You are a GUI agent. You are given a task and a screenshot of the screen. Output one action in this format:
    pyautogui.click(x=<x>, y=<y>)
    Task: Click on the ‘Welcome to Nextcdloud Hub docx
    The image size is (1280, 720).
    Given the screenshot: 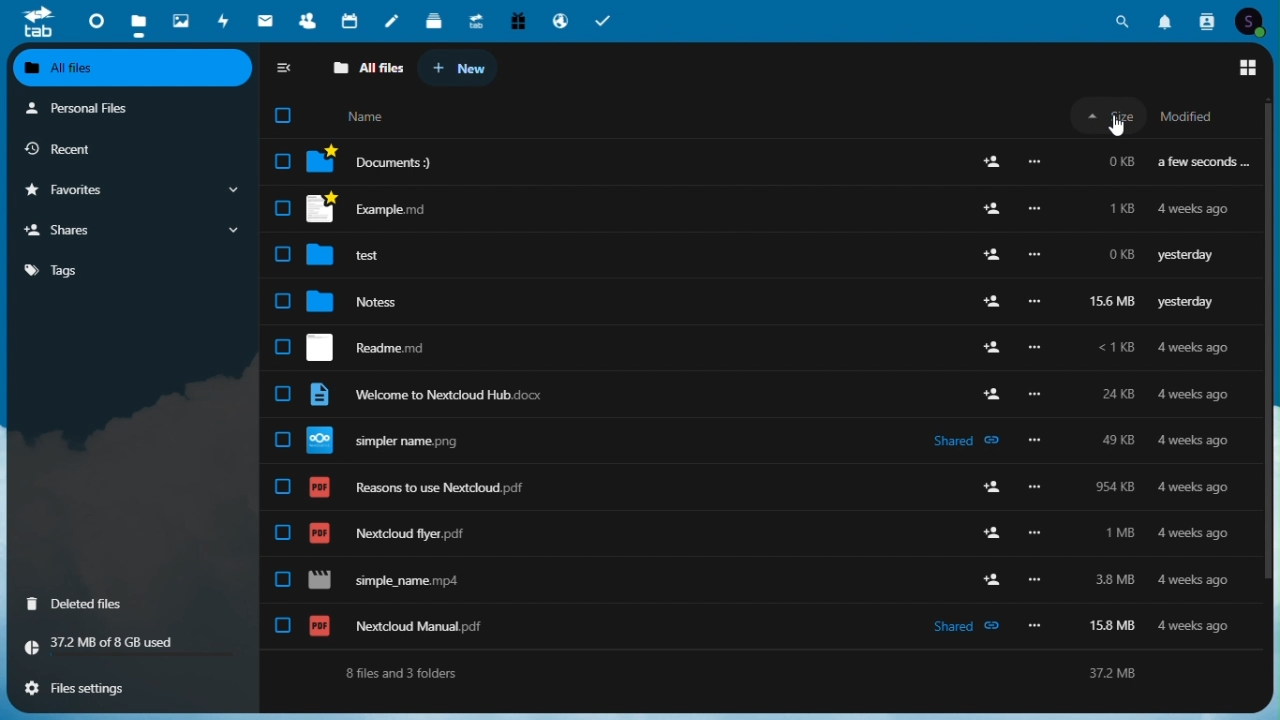 What is the action you would take?
    pyautogui.click(x=754, y=396)
    